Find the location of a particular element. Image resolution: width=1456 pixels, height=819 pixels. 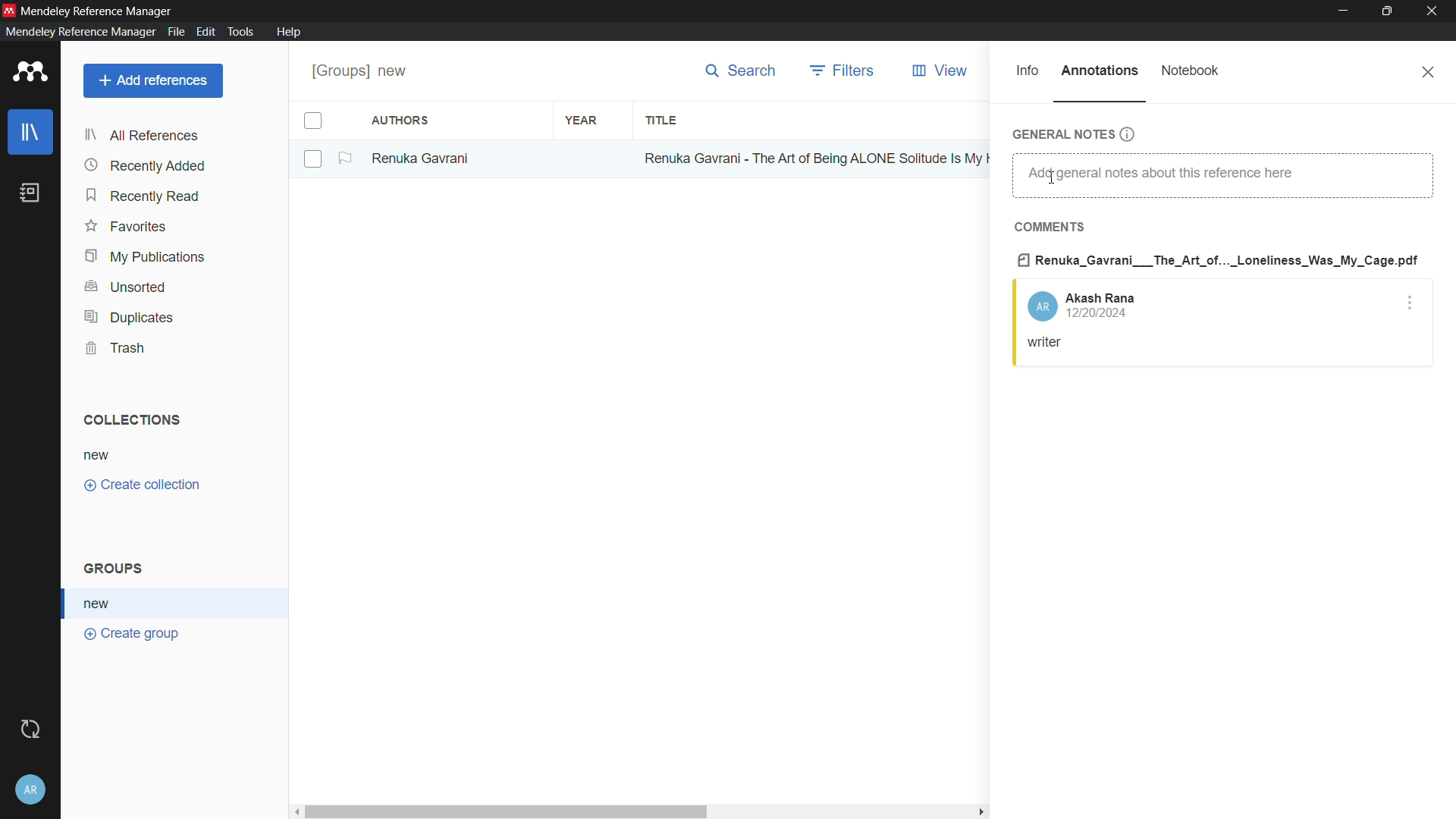

year is located at coordinates (581, 119).